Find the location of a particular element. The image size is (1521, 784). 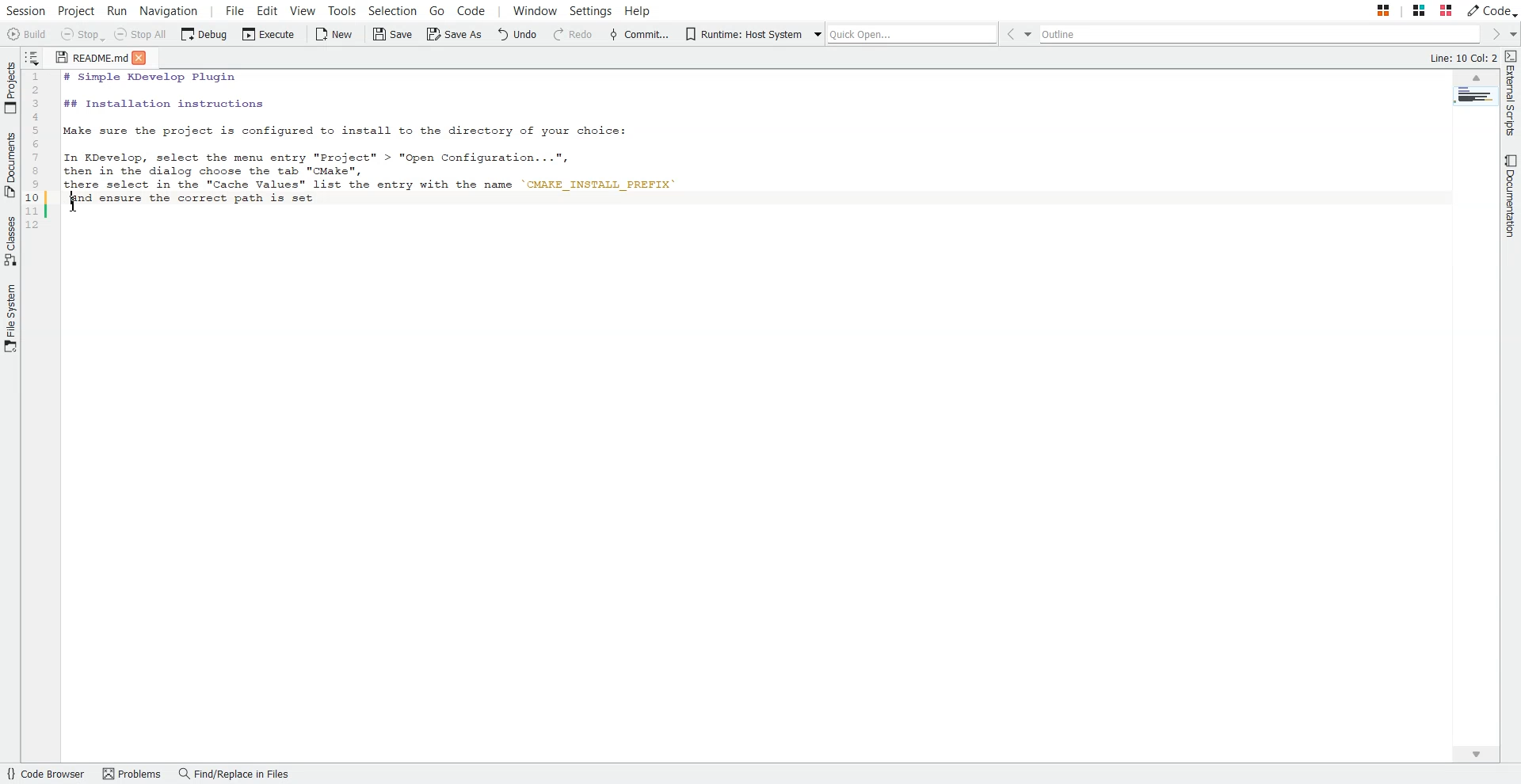

Debug is located at coordinates (203, 35).